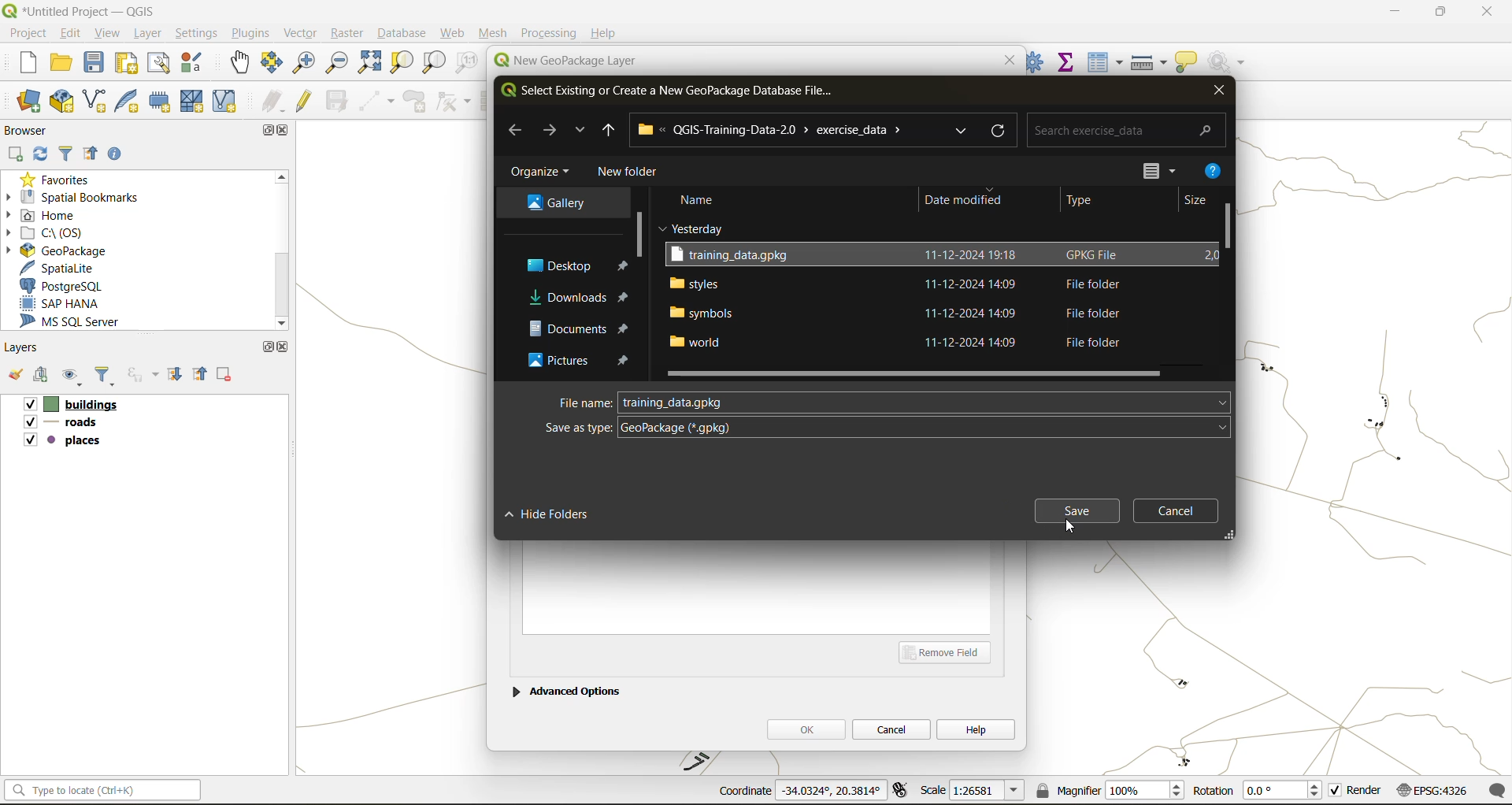 The image size is (1512, 805). What do you see at coordinates (561, 61) in the screenshot?
I see `New GeoPackage Layer` at bounding box center [561, 61].